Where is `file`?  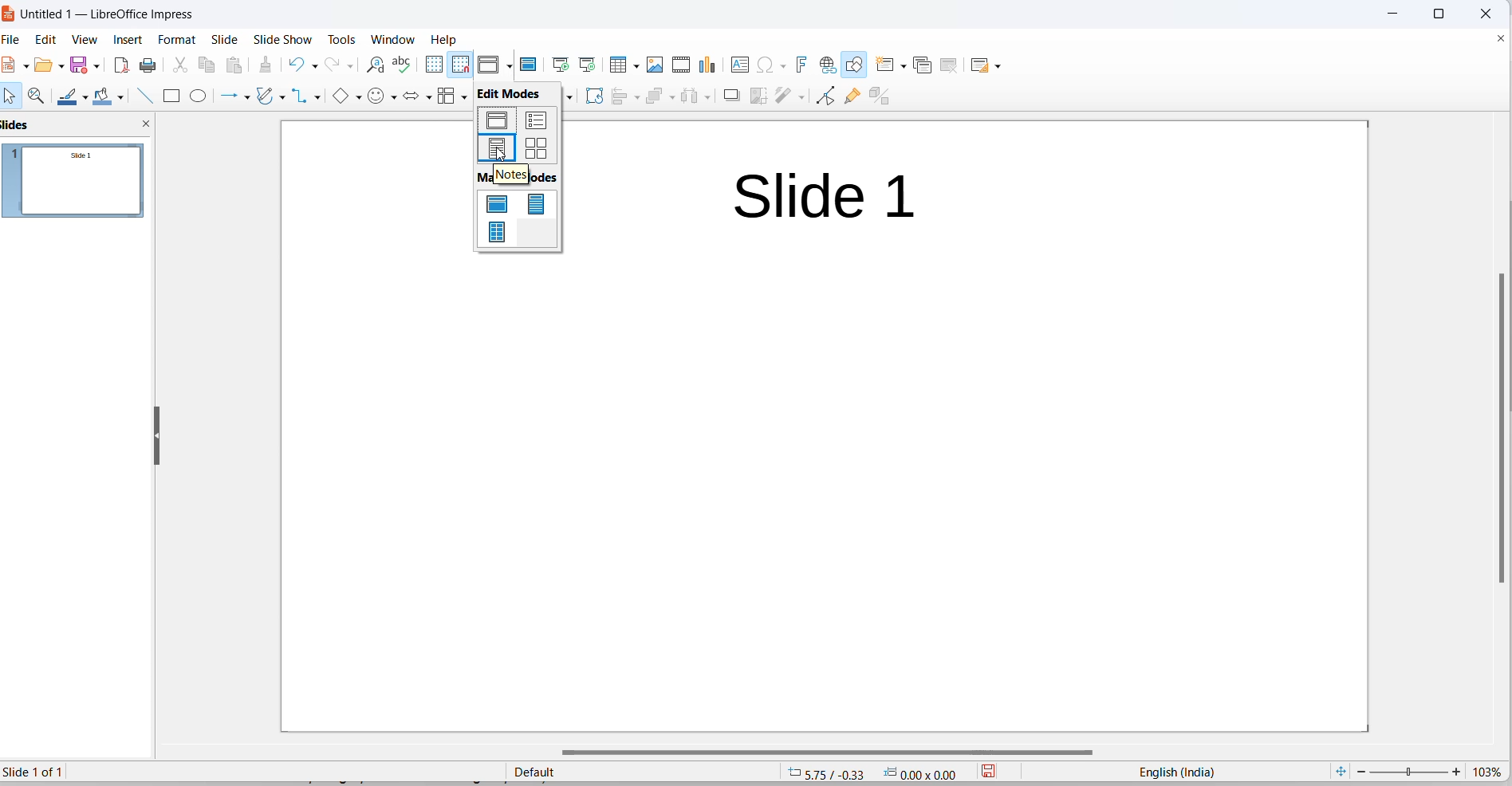 file is located at coordinates (12, 65).